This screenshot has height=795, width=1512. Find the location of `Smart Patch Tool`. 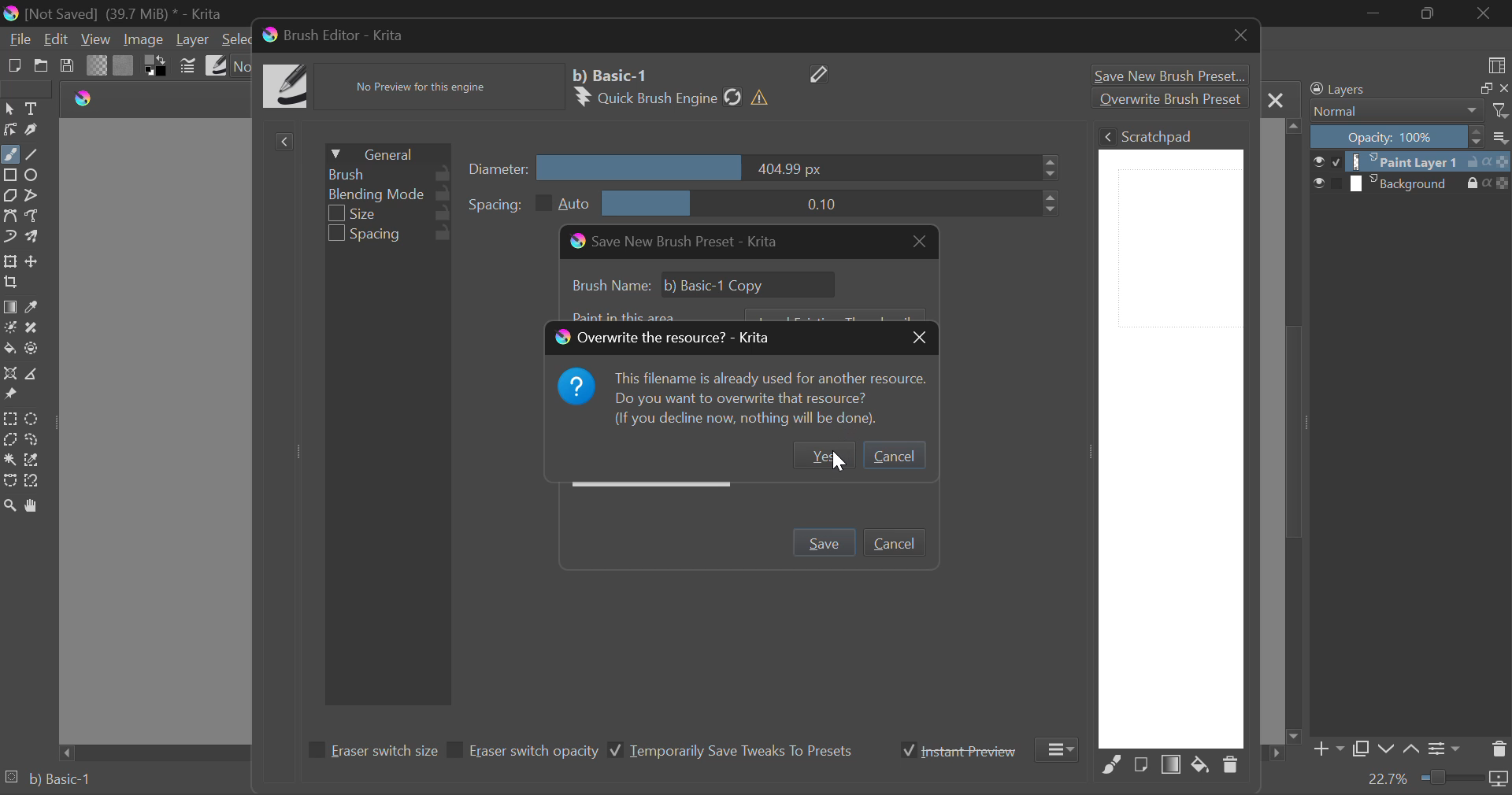

Smart Patch Tool is located at coordinates (33, 327).